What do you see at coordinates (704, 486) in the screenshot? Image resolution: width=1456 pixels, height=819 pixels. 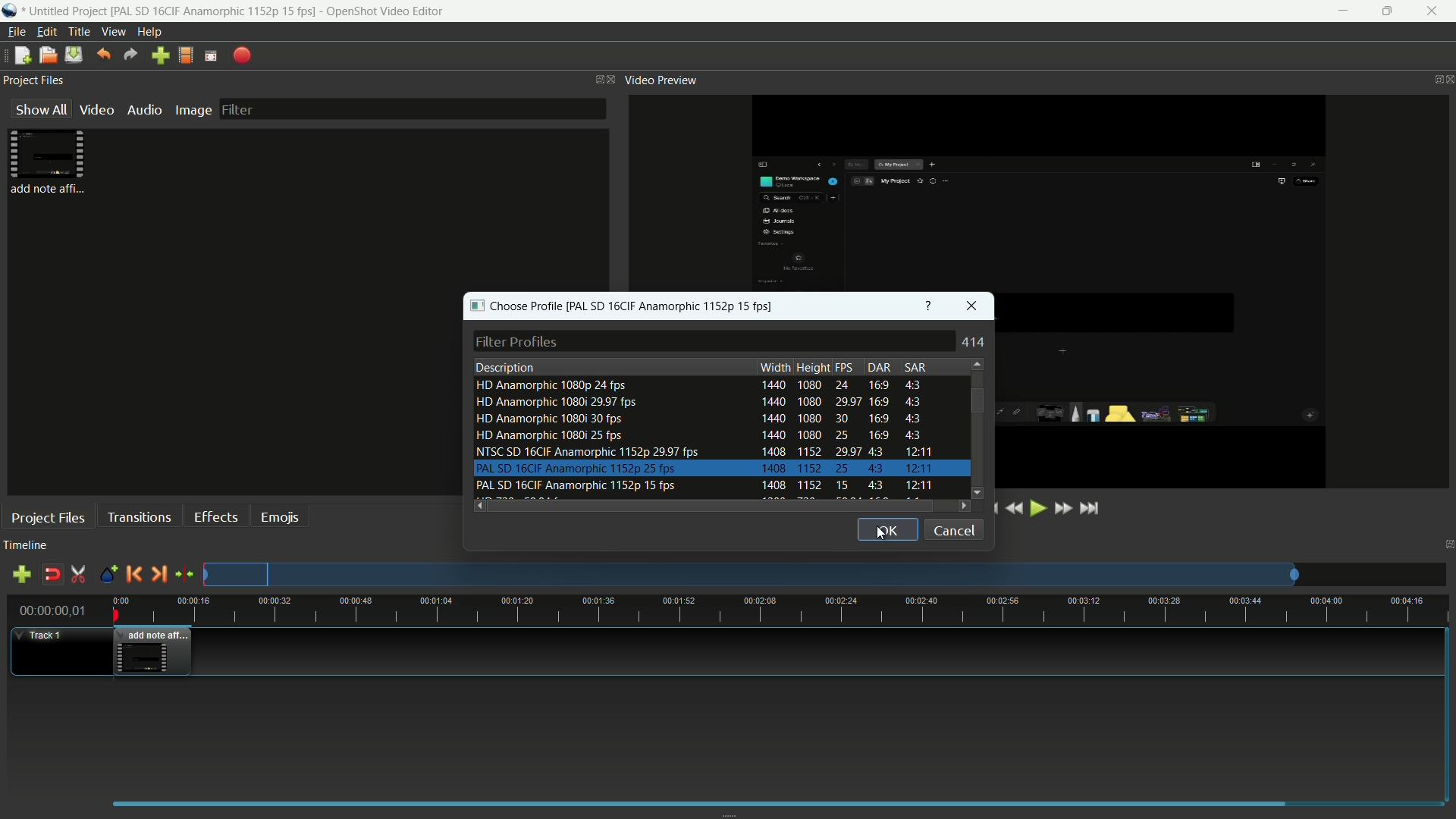 I see `profile-7` at bounding box center [704, 486].